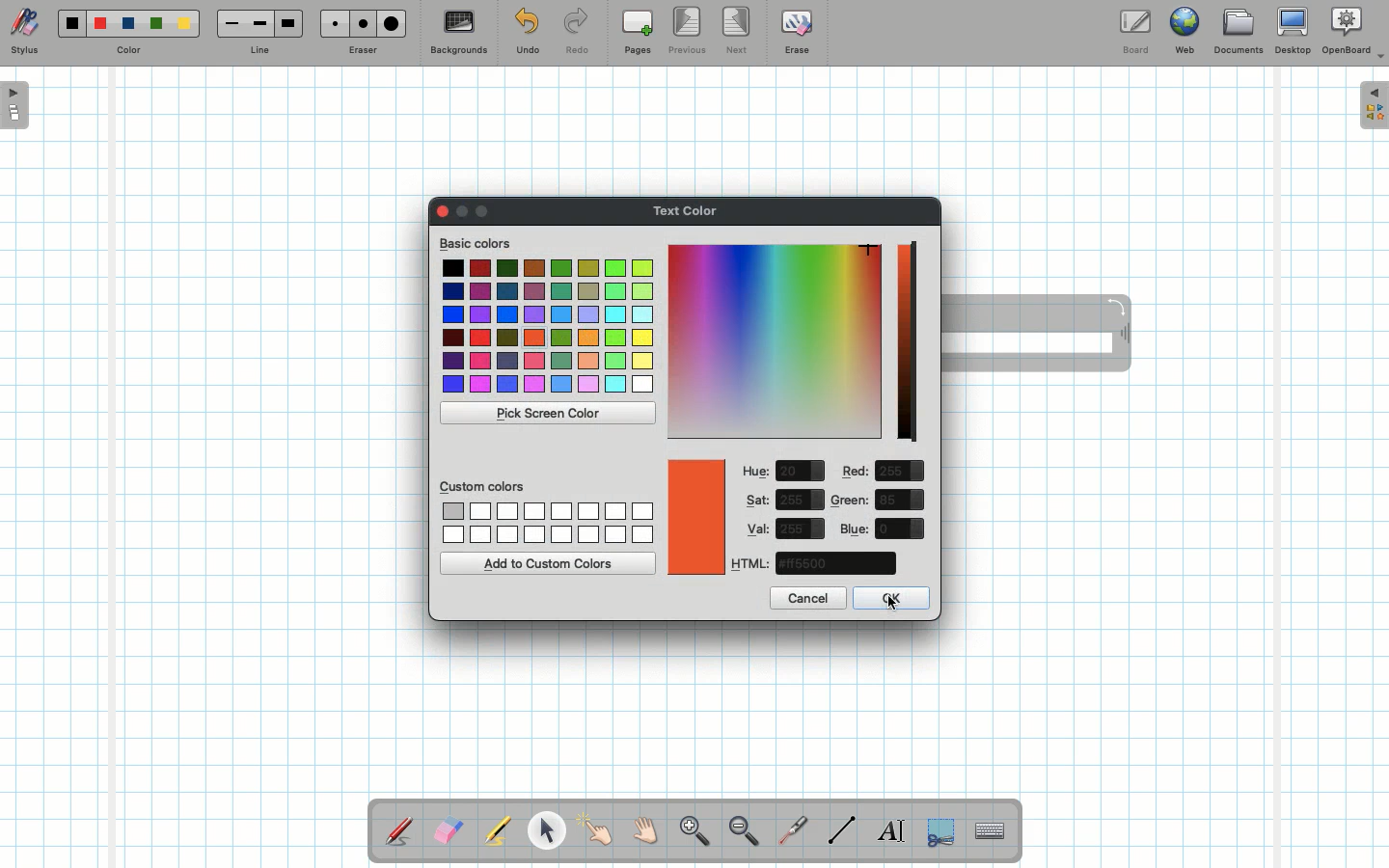 The height and width of the screenshot is (868, 1389). I want to click on Grab, so click(646, 833).